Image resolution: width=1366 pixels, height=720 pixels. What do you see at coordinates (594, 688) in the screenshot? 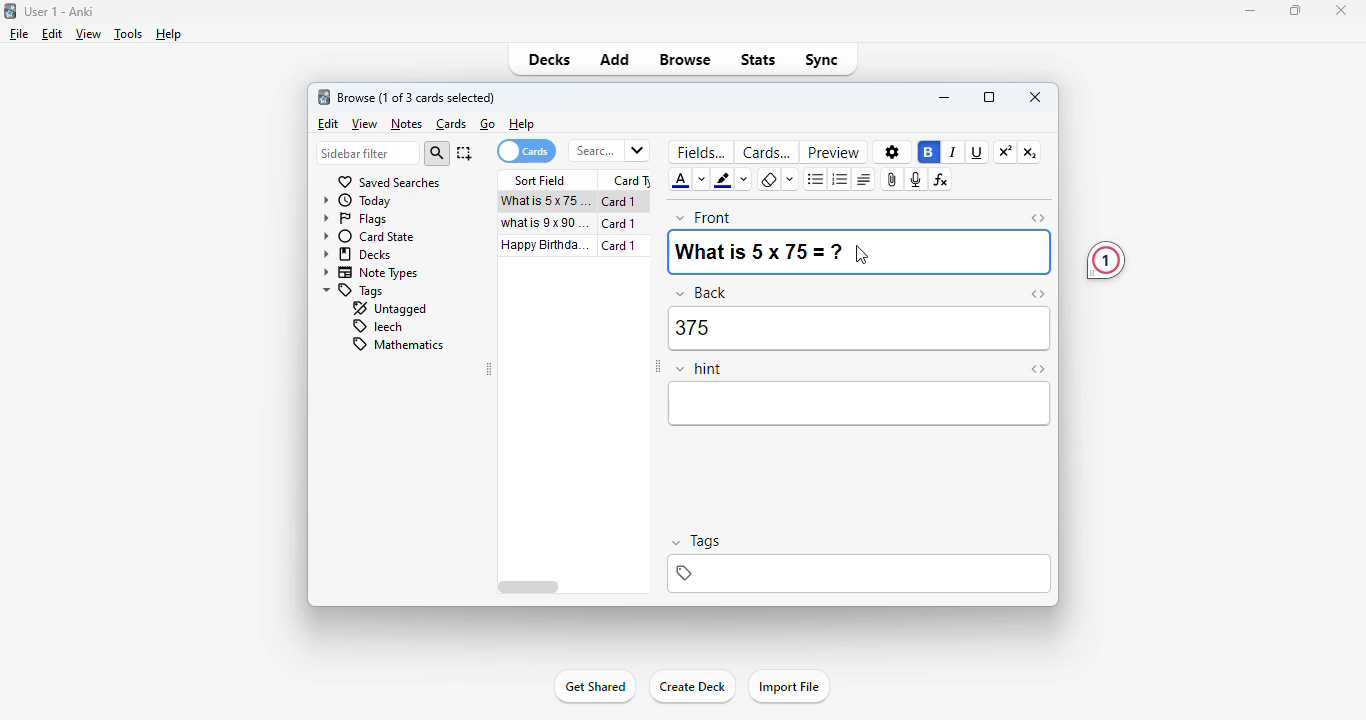
I see `get shared` at bounding box center [594, 688].